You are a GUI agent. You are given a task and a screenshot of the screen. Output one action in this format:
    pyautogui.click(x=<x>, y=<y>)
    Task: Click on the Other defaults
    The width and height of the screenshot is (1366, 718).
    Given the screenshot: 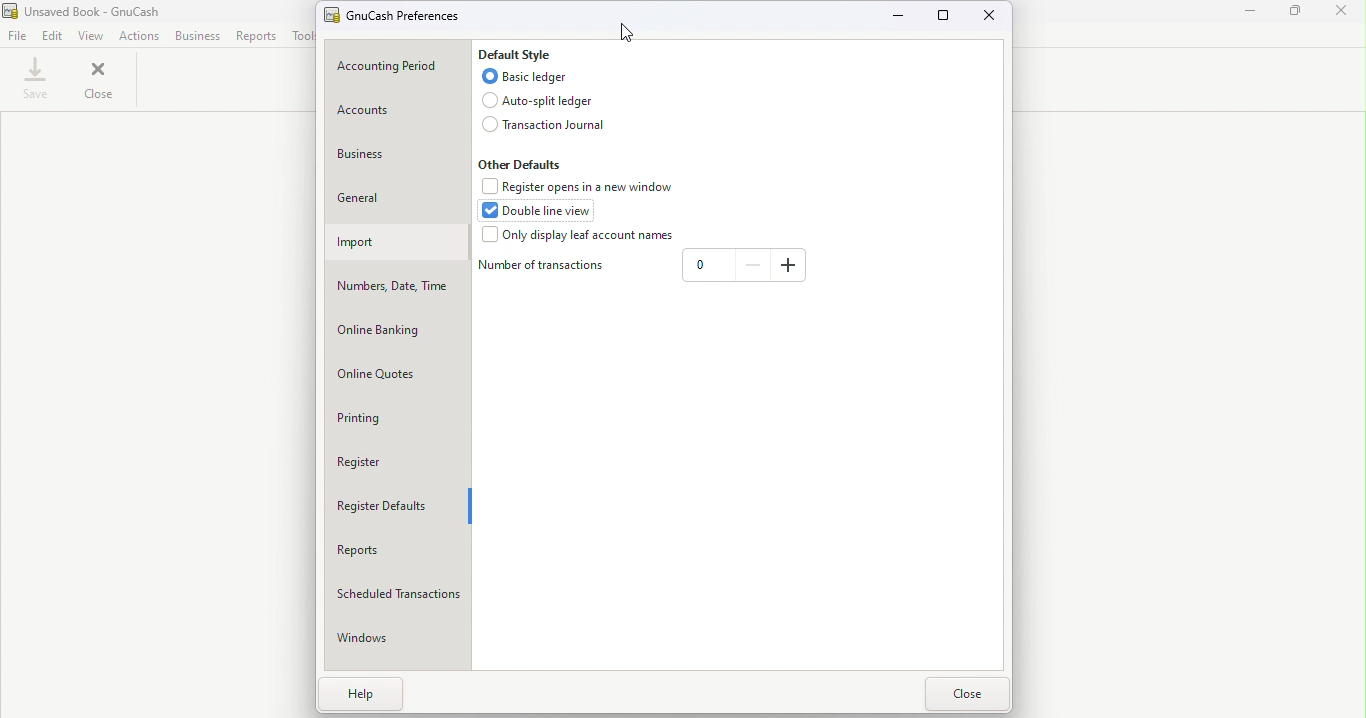 What is the action you would take?
    pyautogui.click(x=519, y=164)
    